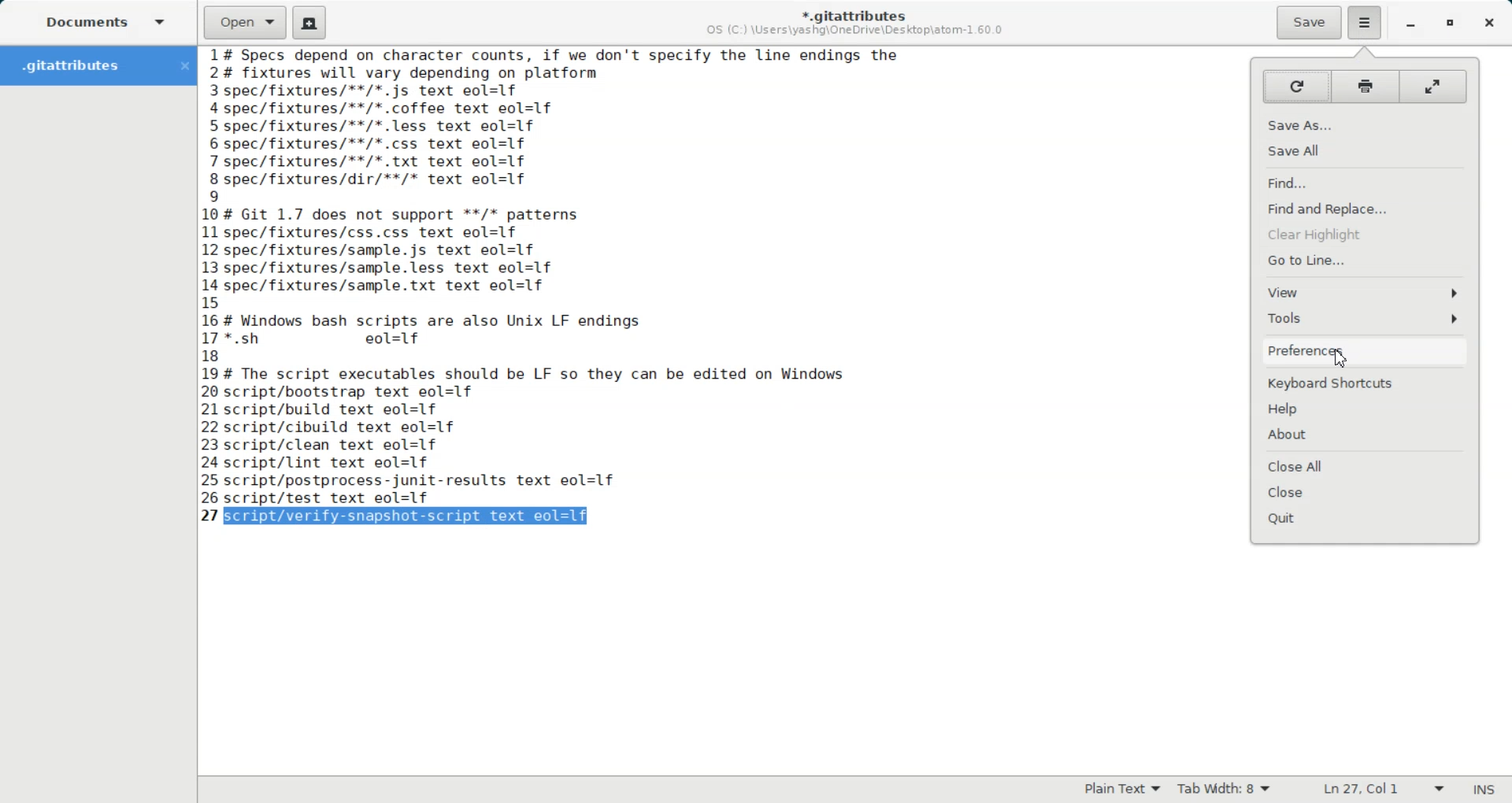 This screenshot has height=803, width=1512. I want to click on Keyboard Shortcuts, so click(1366, 384).